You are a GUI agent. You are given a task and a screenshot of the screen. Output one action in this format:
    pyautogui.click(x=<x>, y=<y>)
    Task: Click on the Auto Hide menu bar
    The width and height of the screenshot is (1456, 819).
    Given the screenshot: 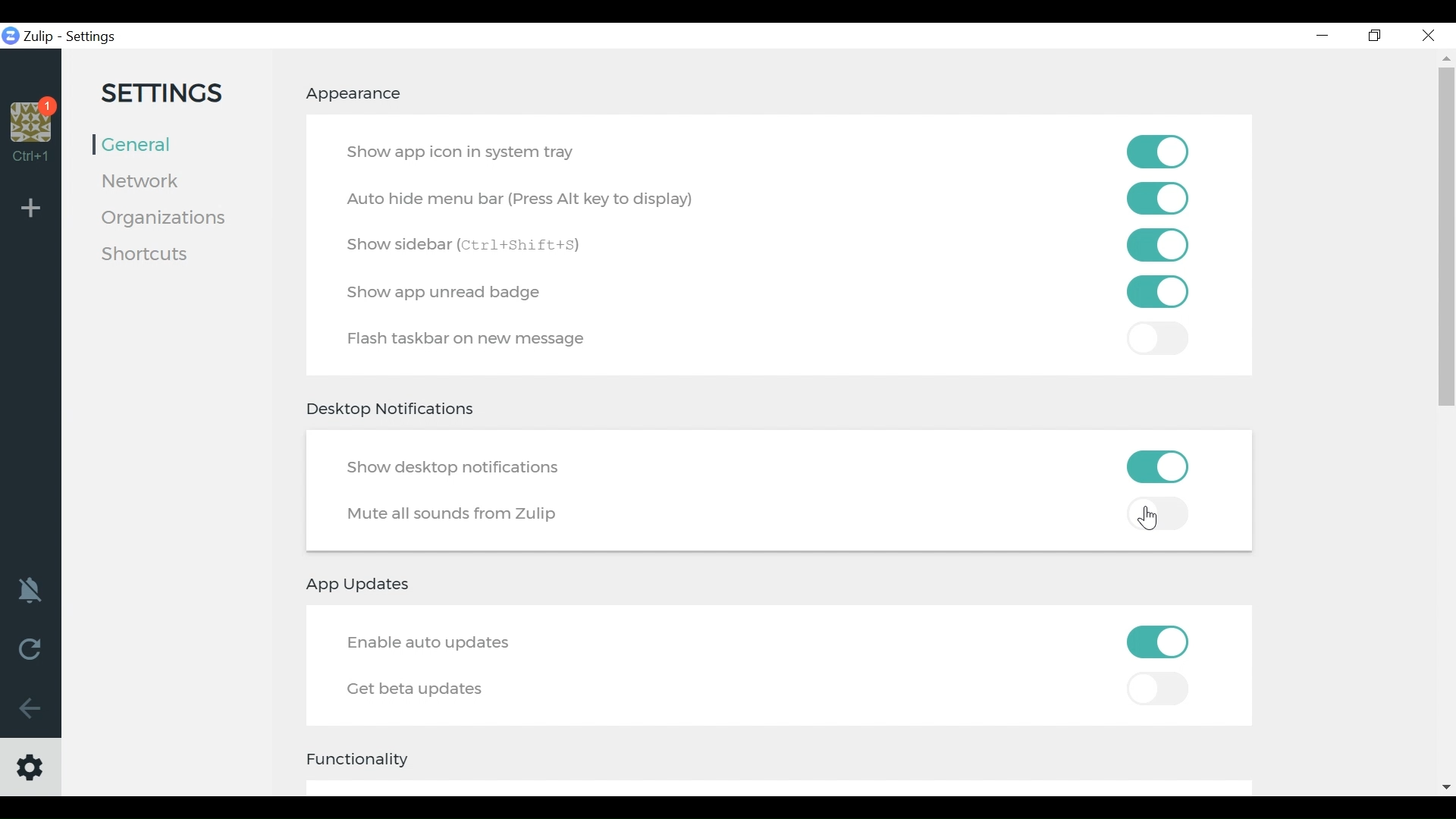 What is the action you would take?
    pyautogui.click(x=522, y=200)
    